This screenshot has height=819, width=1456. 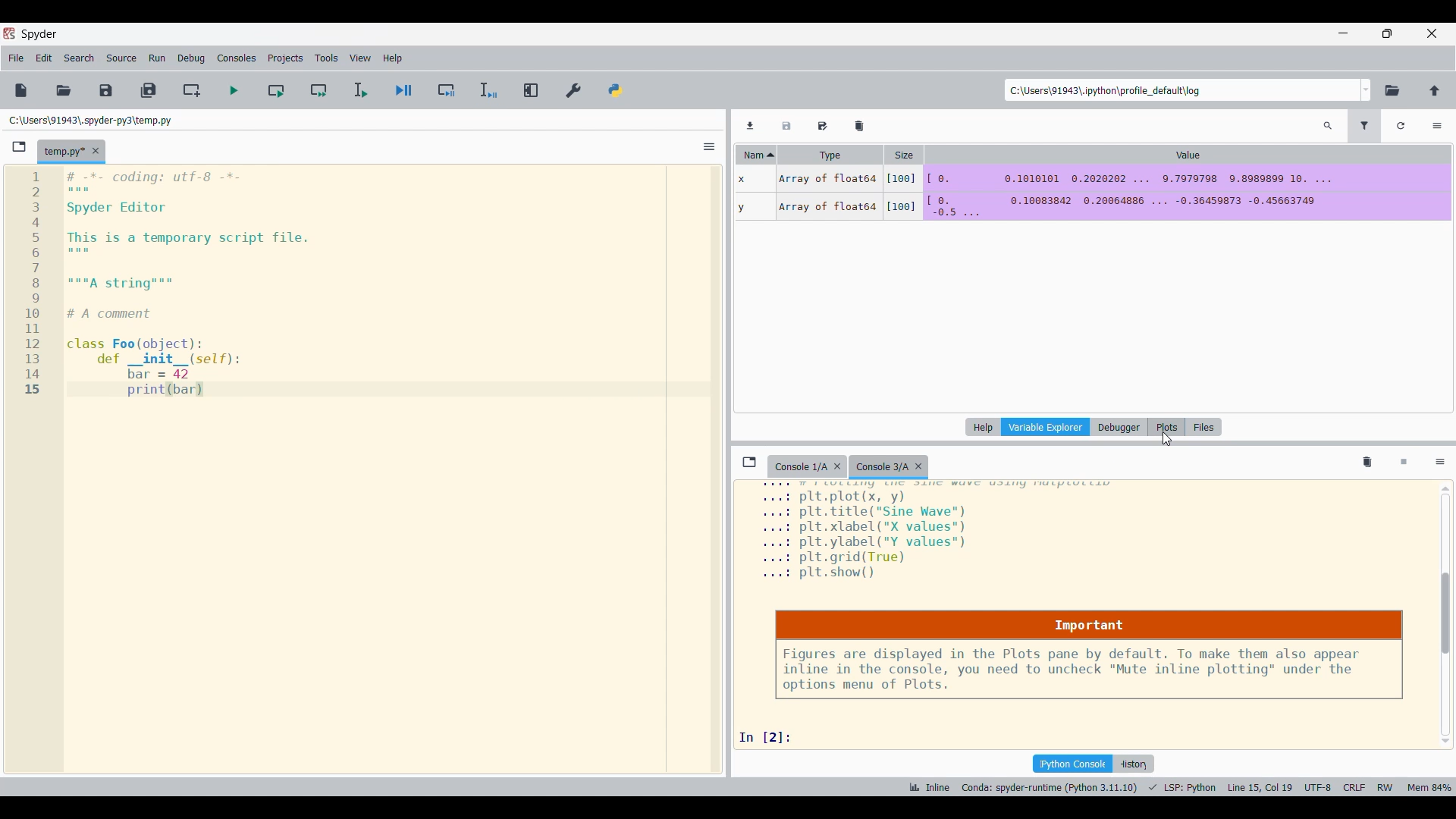 I want to click on Close interface, so click(x=1432, y=33).